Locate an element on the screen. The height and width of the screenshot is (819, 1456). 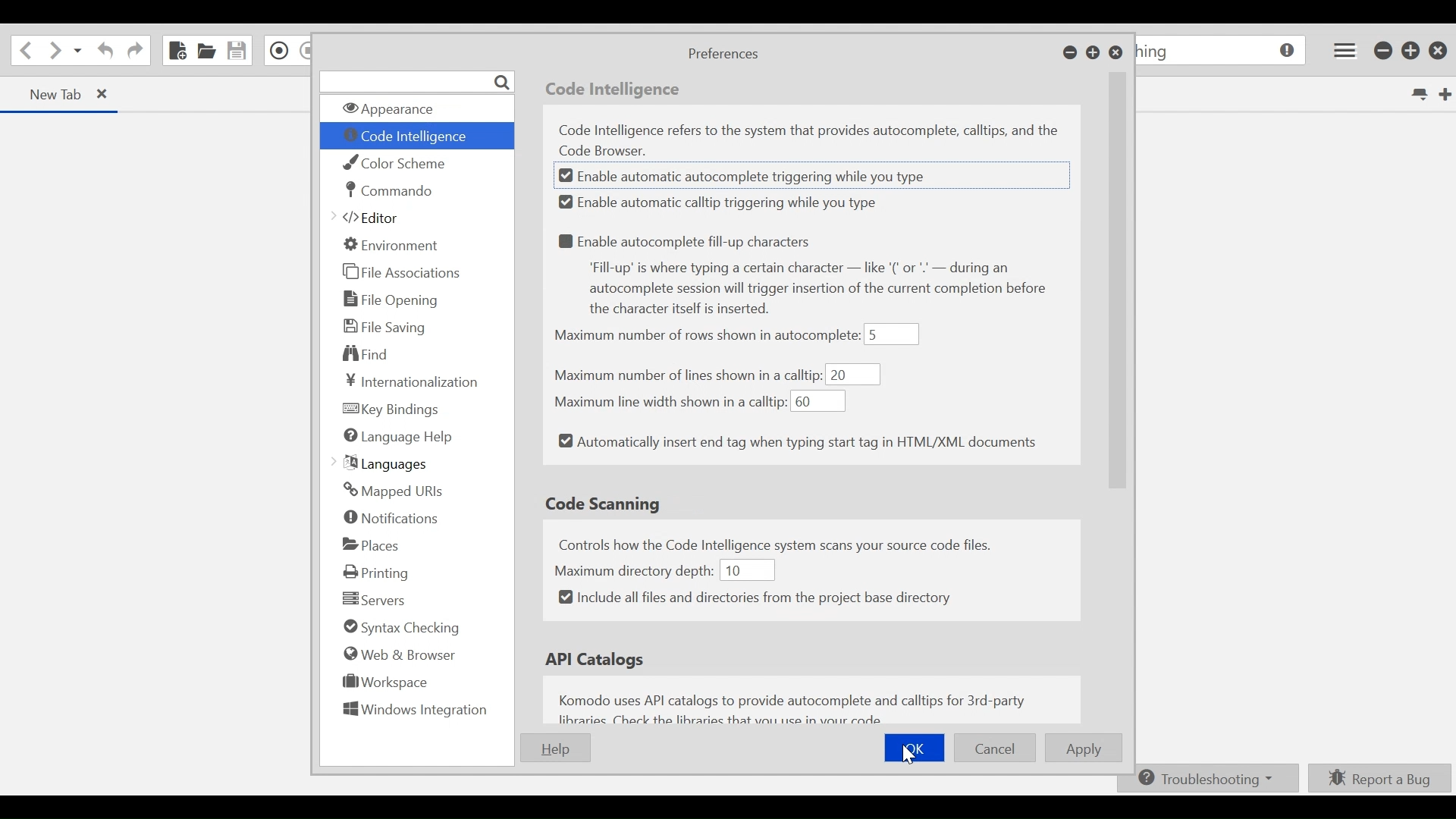
Automatically insert end tag when typing start tag in HTML/XML documents is located at coordinates (798, 443).